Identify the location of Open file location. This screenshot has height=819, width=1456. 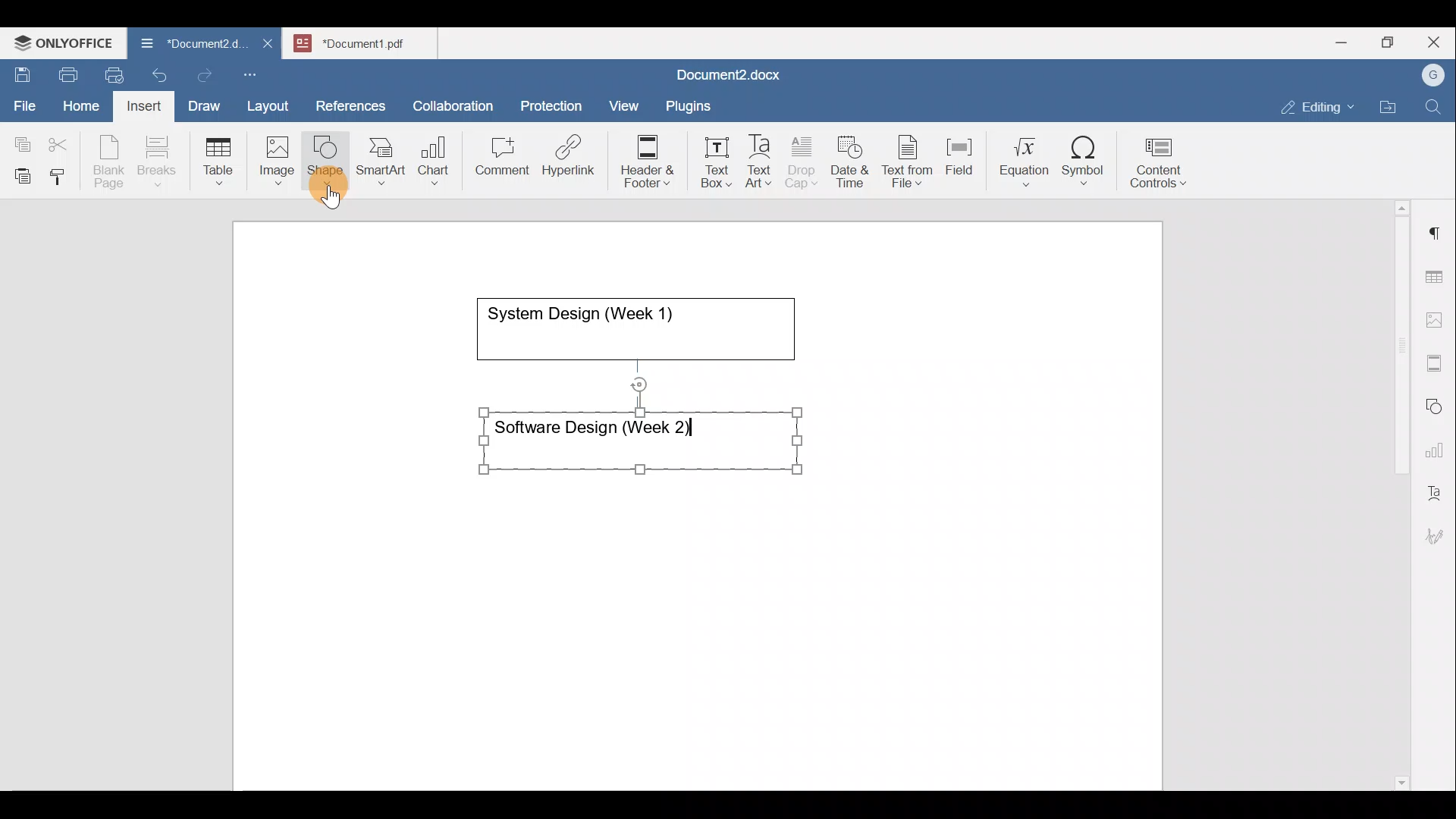
(1392, 108).